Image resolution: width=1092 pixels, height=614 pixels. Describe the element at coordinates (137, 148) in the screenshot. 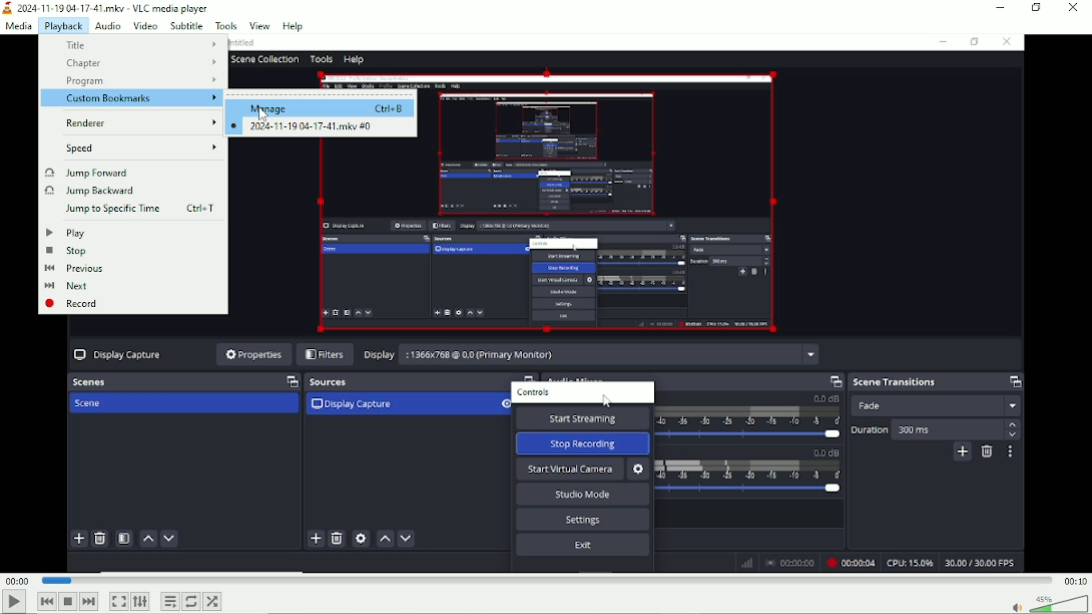

I see `Speed` at that location.